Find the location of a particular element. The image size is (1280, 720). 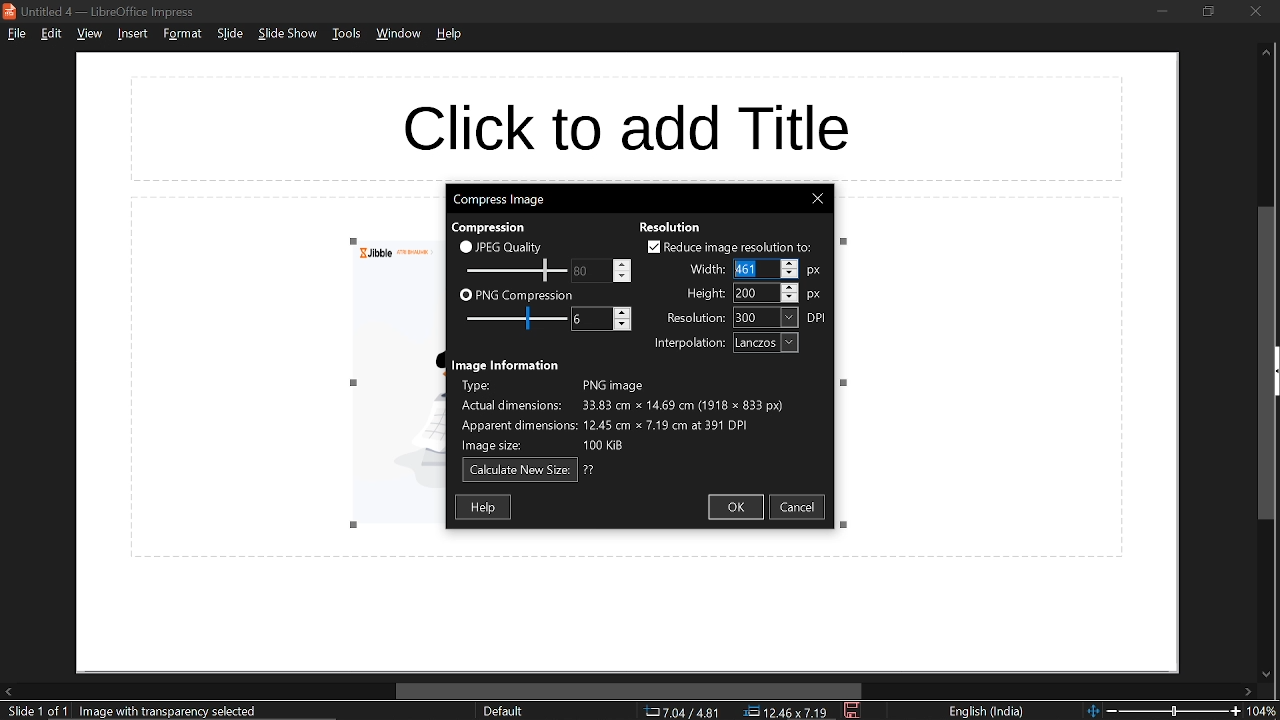

Increase  is located at coordinates (623, 262).